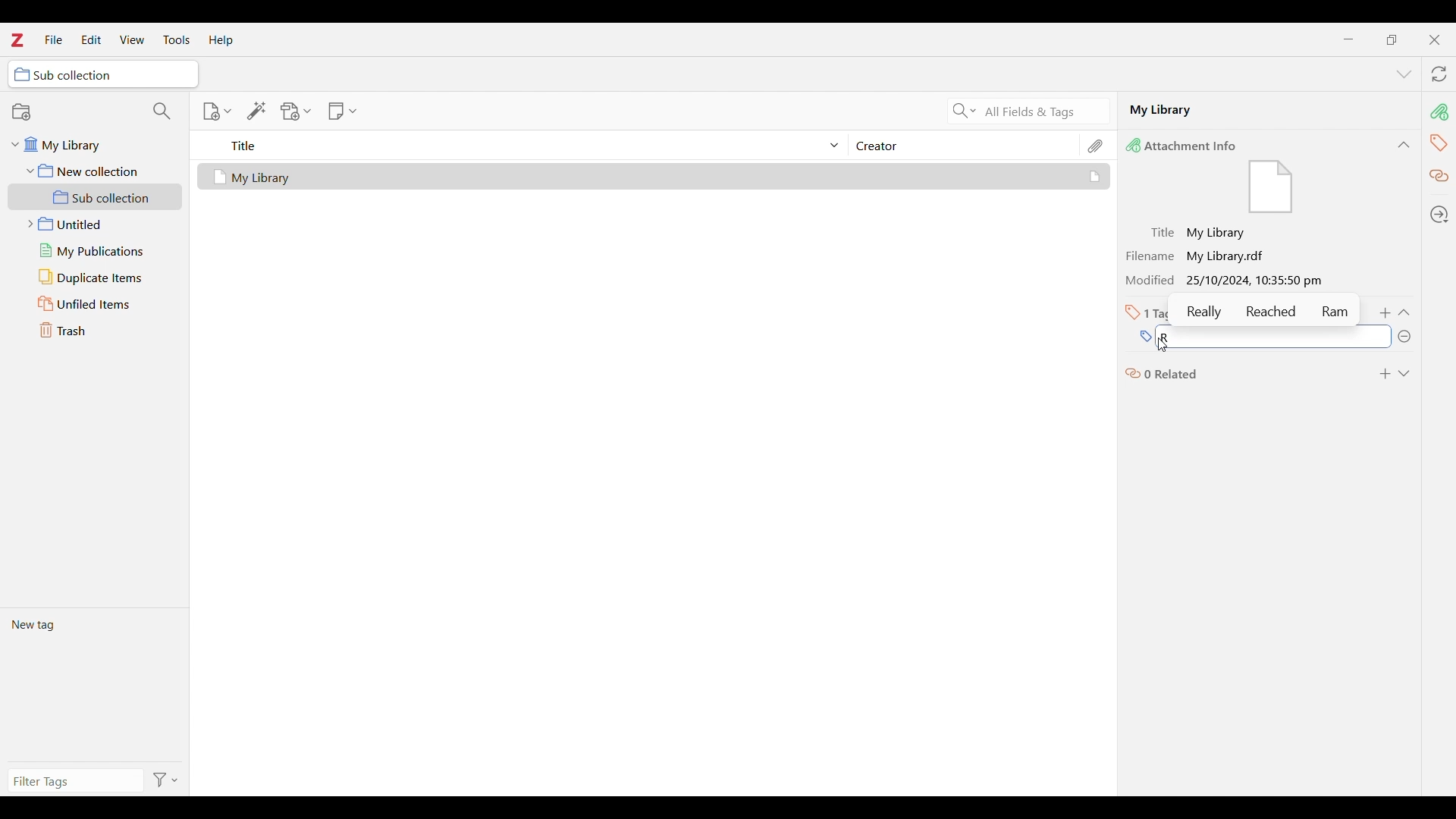 This screenshot has height=819, width=1456. Describe the element at coordinates (1404, 374) in the screenshot. I see `Expand` at that location.